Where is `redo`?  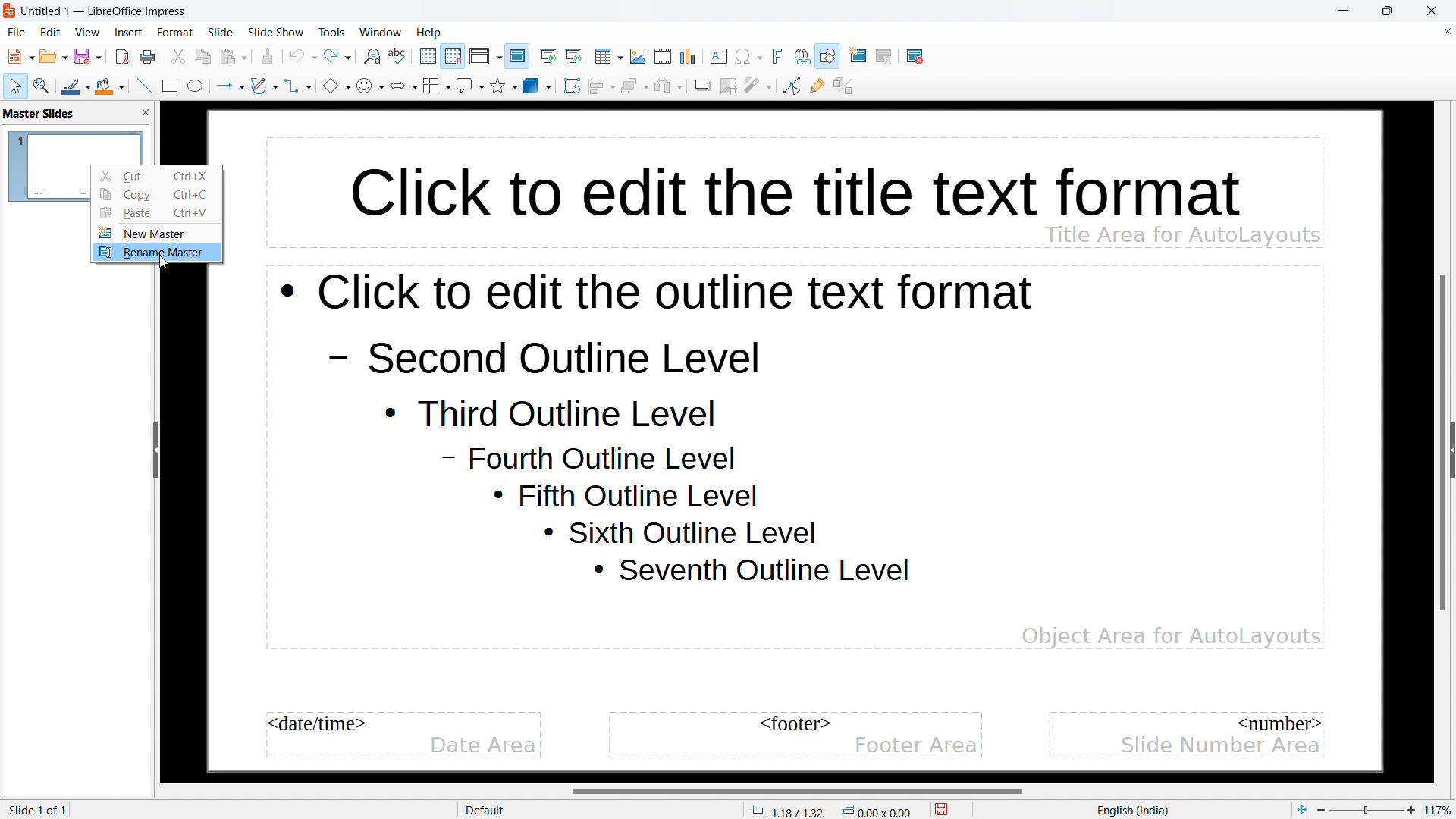 redo is located at coordinates (337, 56).